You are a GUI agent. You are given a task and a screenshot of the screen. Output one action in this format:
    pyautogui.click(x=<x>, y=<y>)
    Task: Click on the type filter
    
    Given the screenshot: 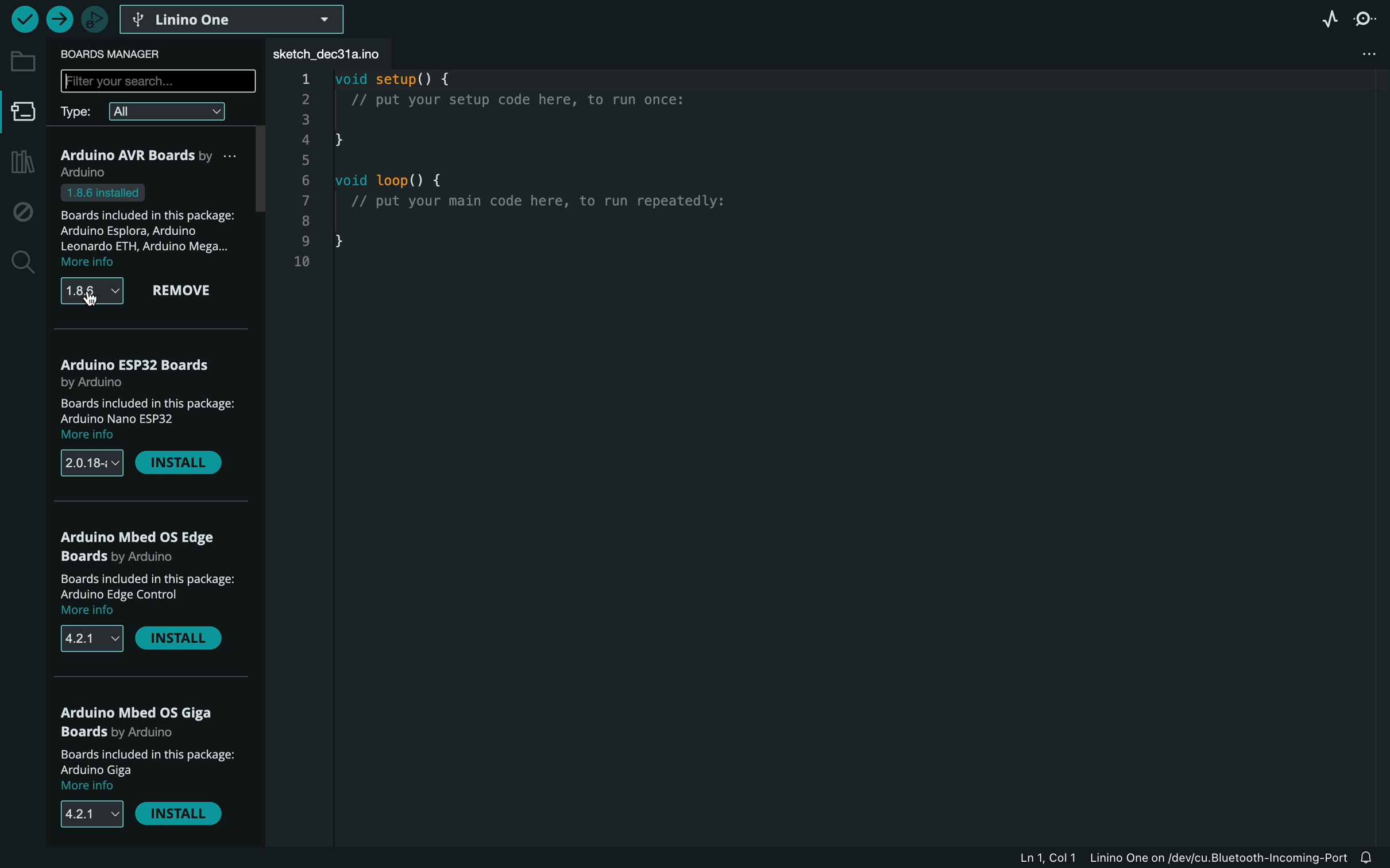 What is the action you would take?
    pyautogui.click(x=153, y=110)
    